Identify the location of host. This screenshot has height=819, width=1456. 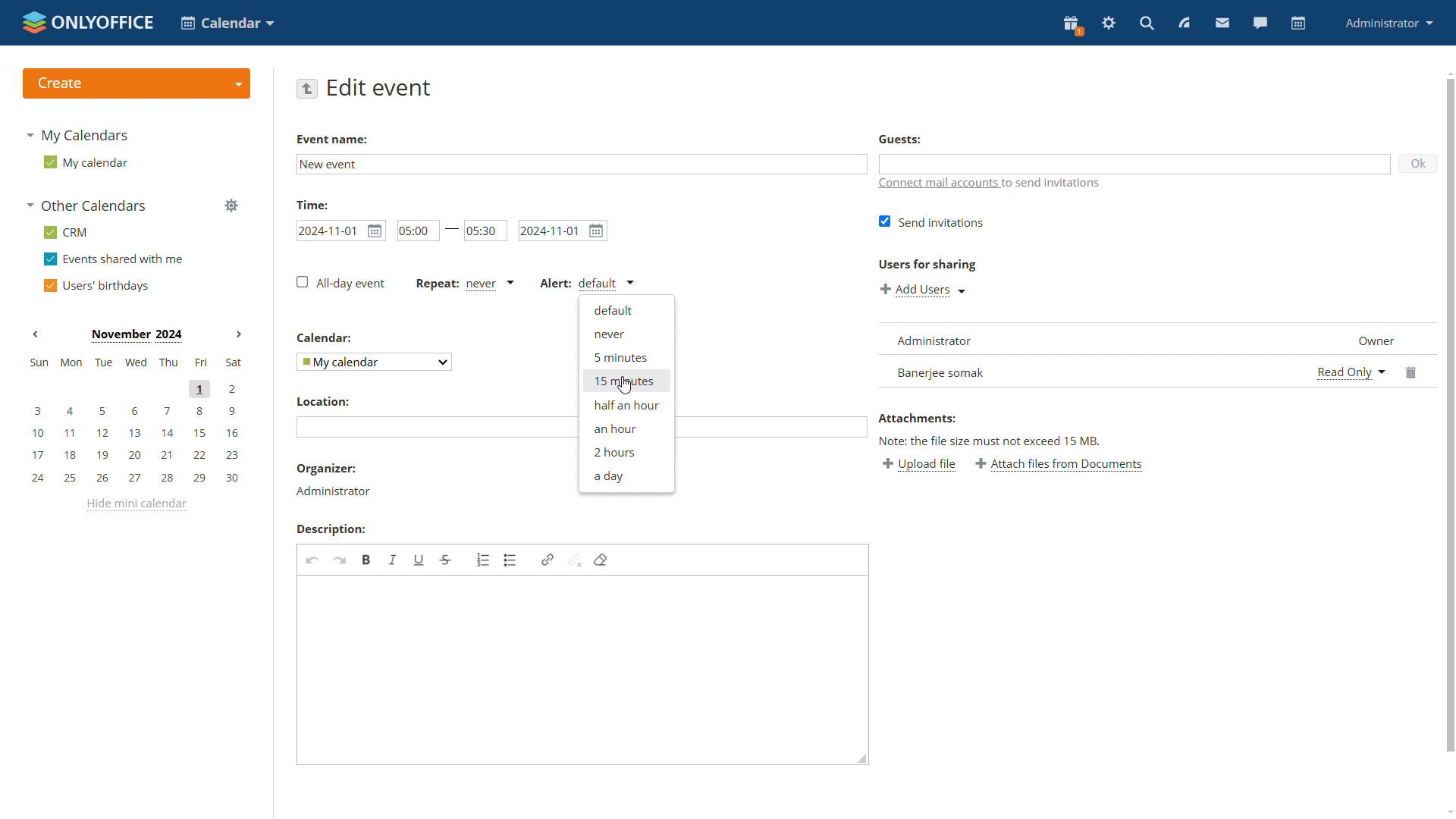
(333, 491).